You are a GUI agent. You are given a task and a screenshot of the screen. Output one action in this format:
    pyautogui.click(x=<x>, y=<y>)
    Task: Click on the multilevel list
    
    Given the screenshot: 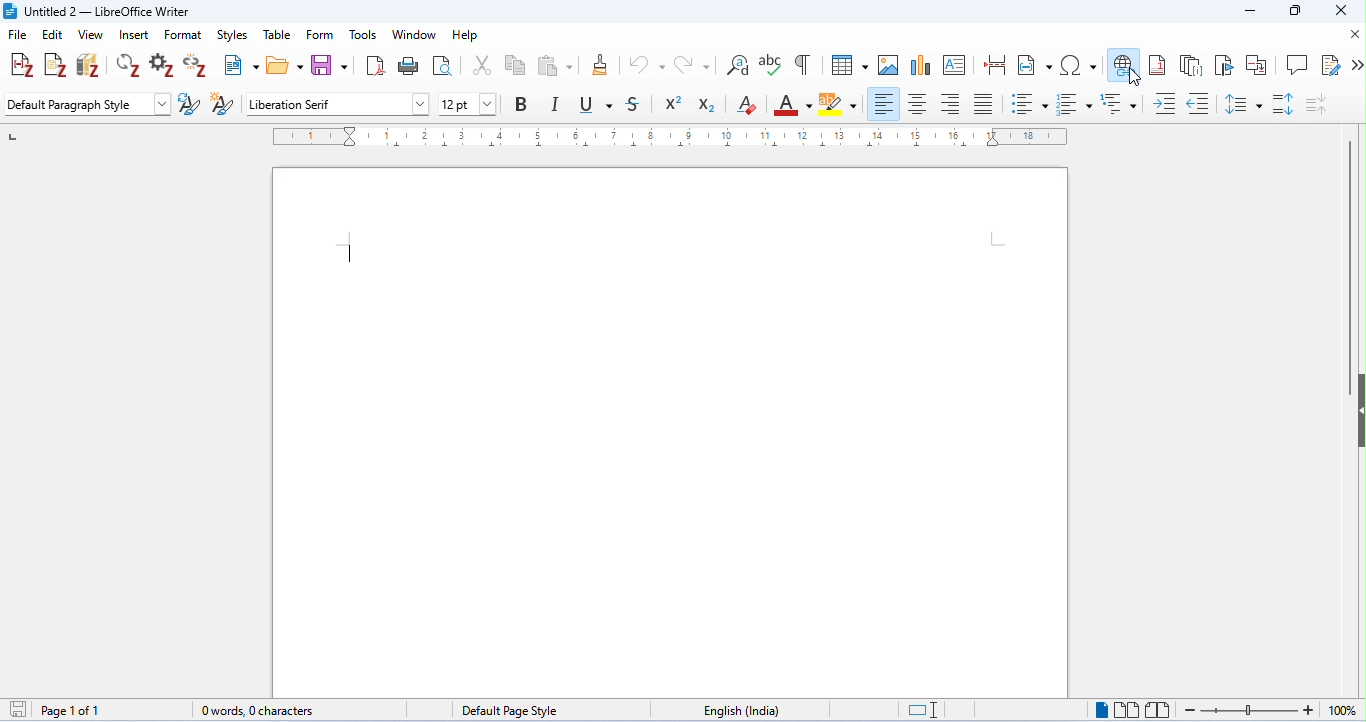 What is the action you would take?
    pyautogui.click(x=1121, y=105)
    